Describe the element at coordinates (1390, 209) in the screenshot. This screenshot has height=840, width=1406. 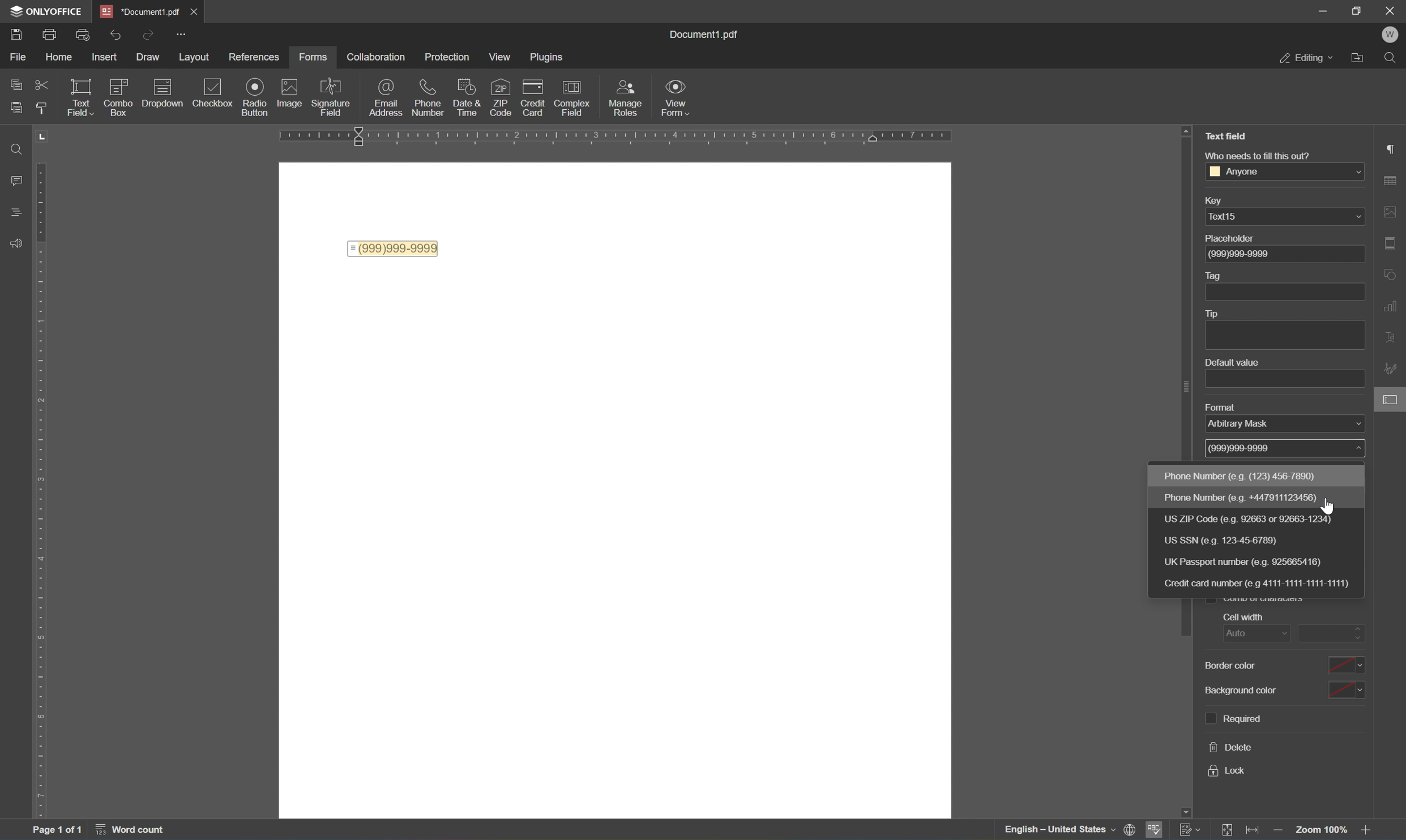
I see `image settings` at that location.